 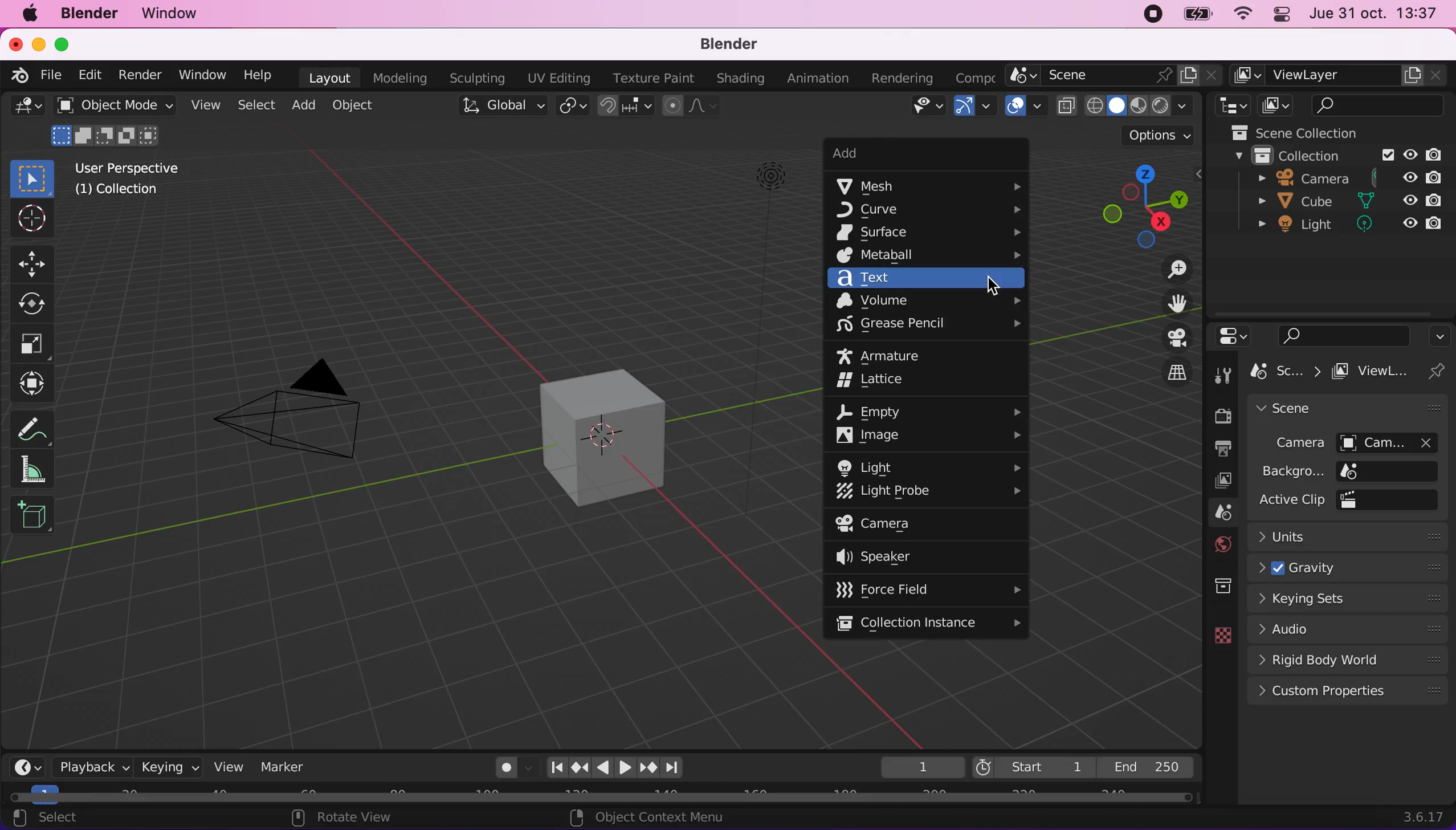 I want to click on audio, so click(x=1347, y=628).